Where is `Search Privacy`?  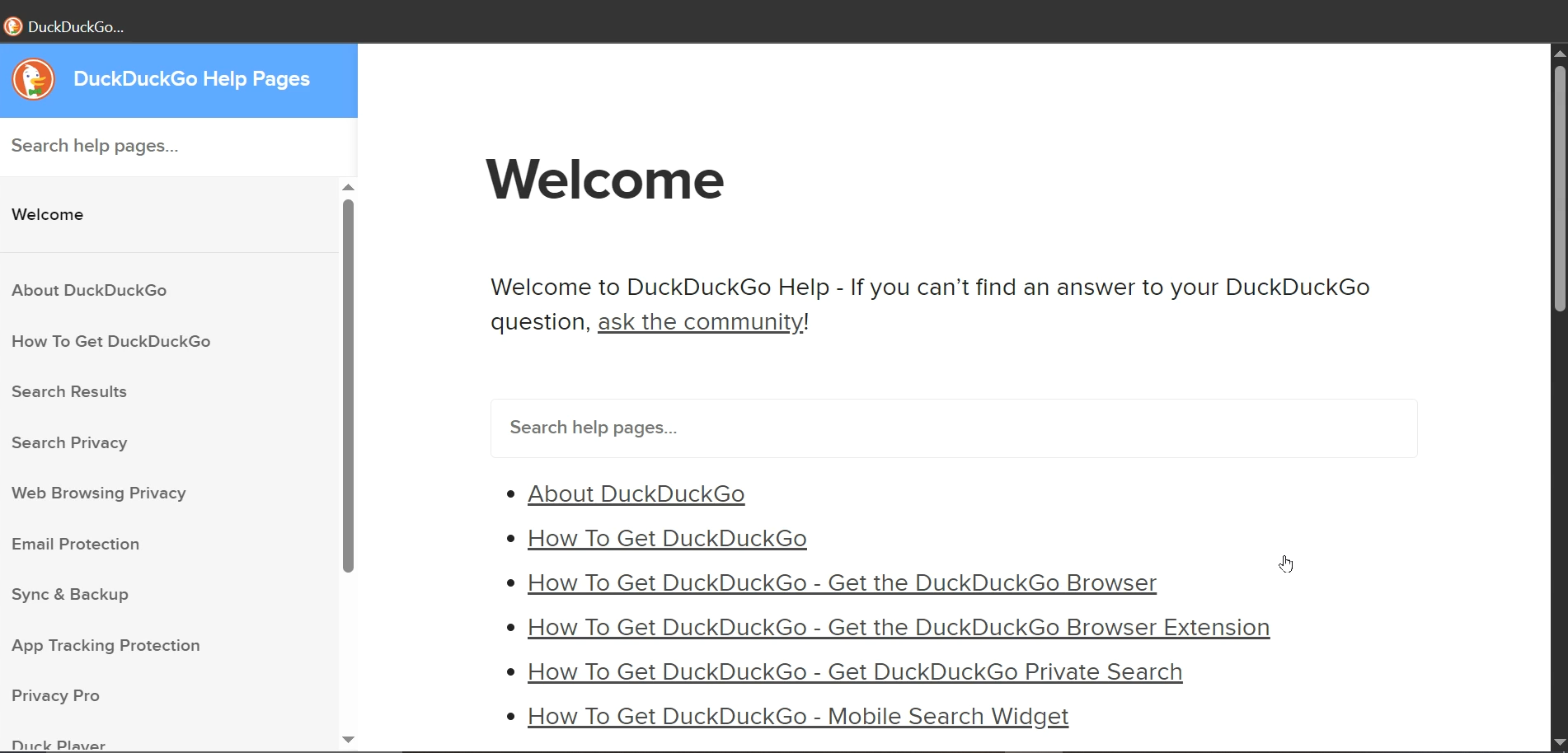 Search Privacy is located at coordinates (74, 443).